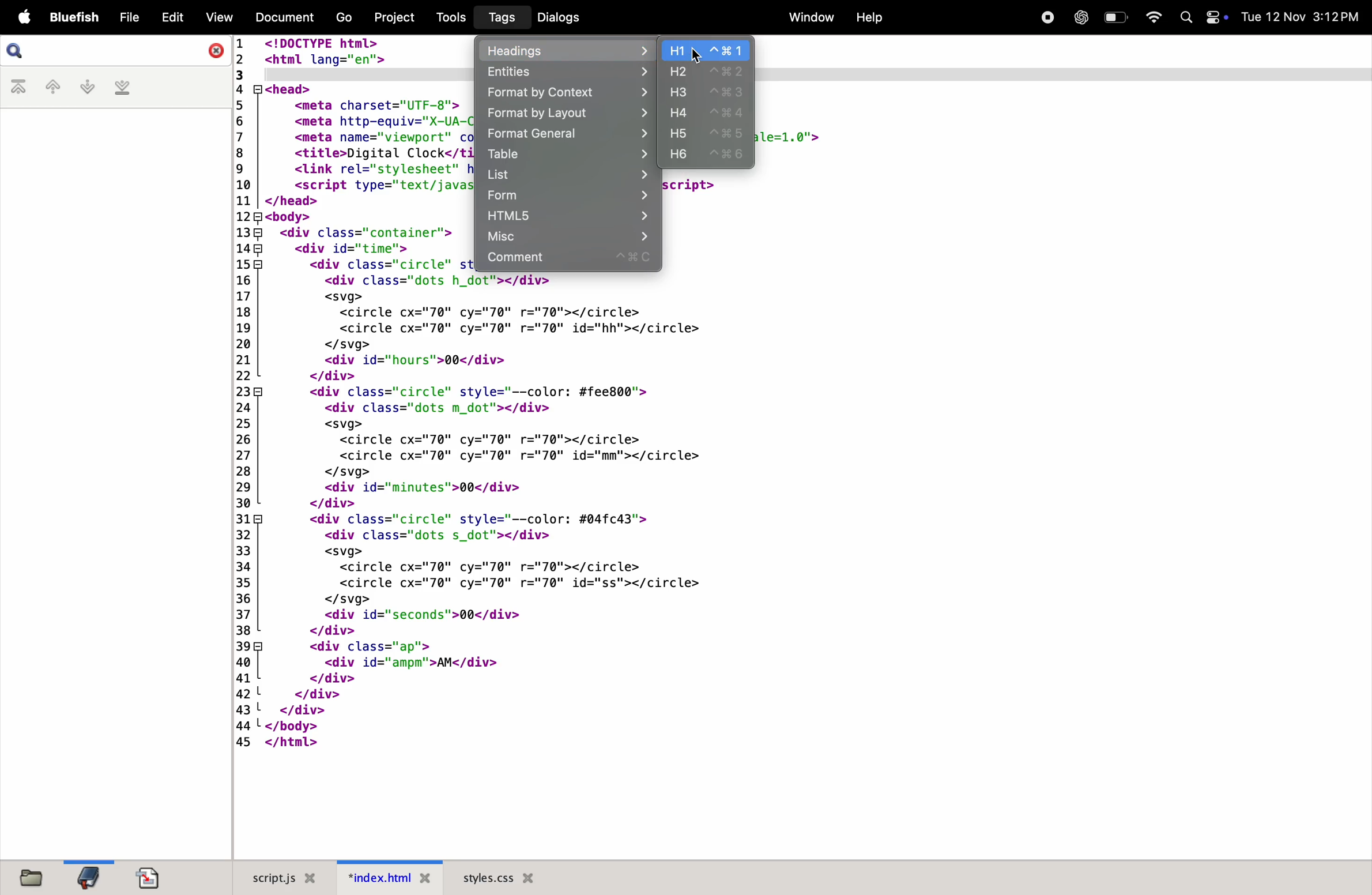  I want to click on apple widgets, so click(1203, 17).